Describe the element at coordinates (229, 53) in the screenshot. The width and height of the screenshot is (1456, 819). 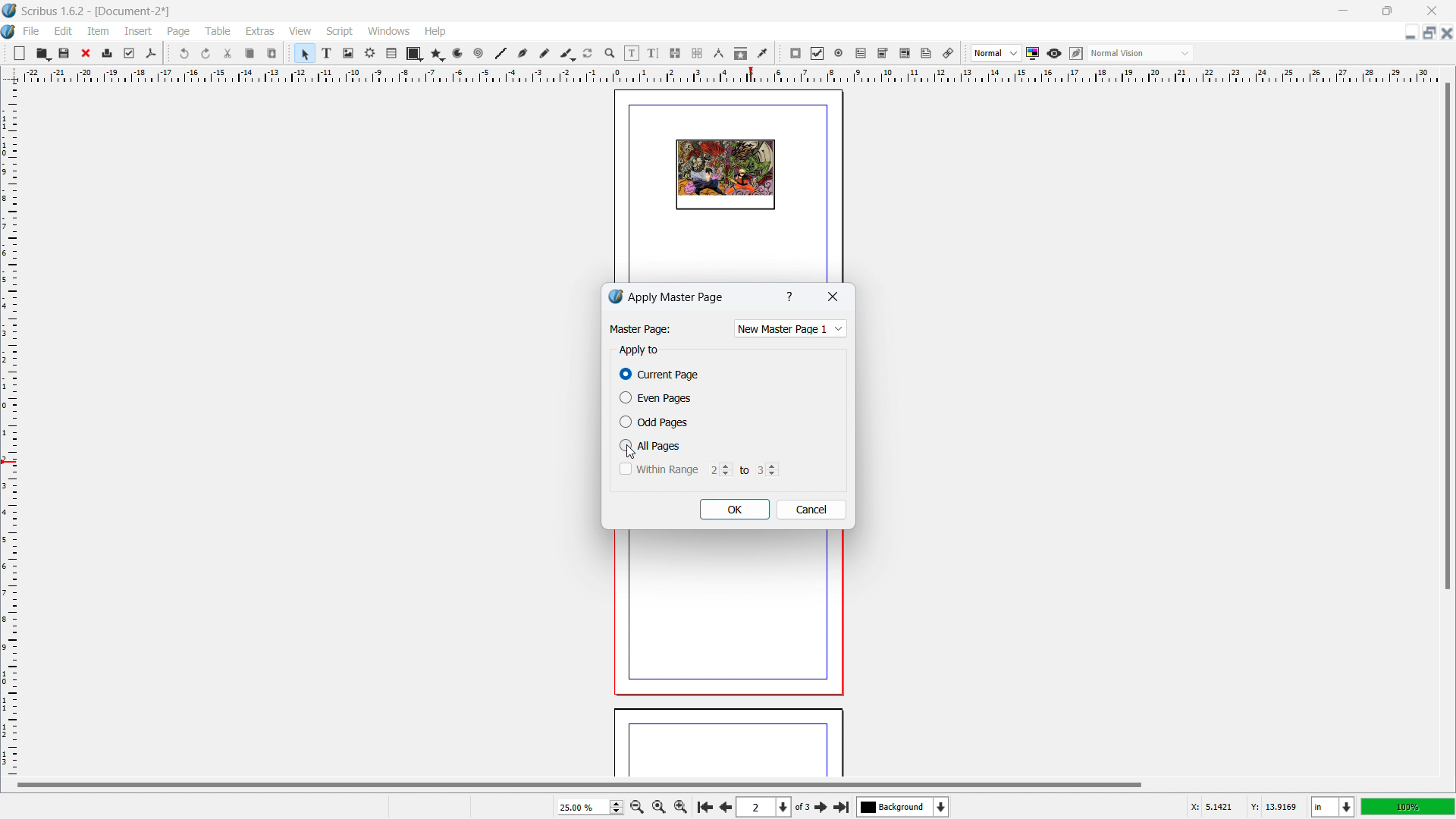
I see `cut` at that location.